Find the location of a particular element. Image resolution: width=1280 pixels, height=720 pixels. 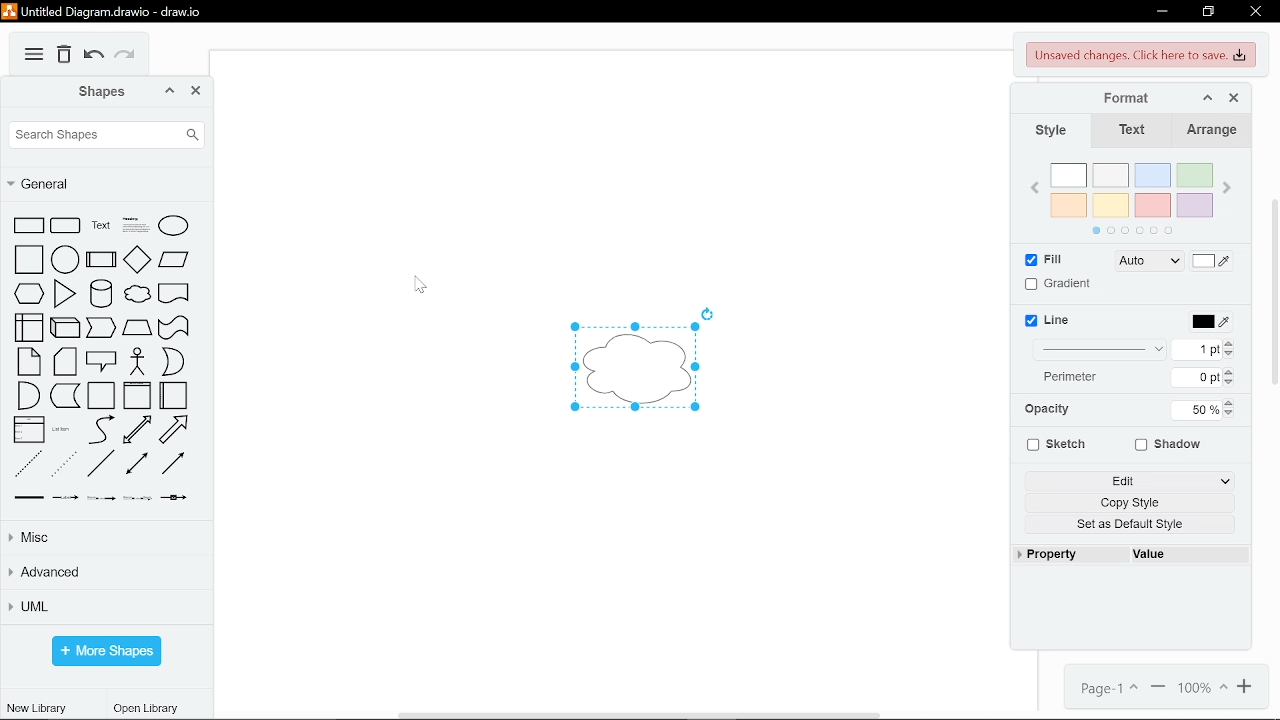

connector with symbol is located at coordinates (174, 497).